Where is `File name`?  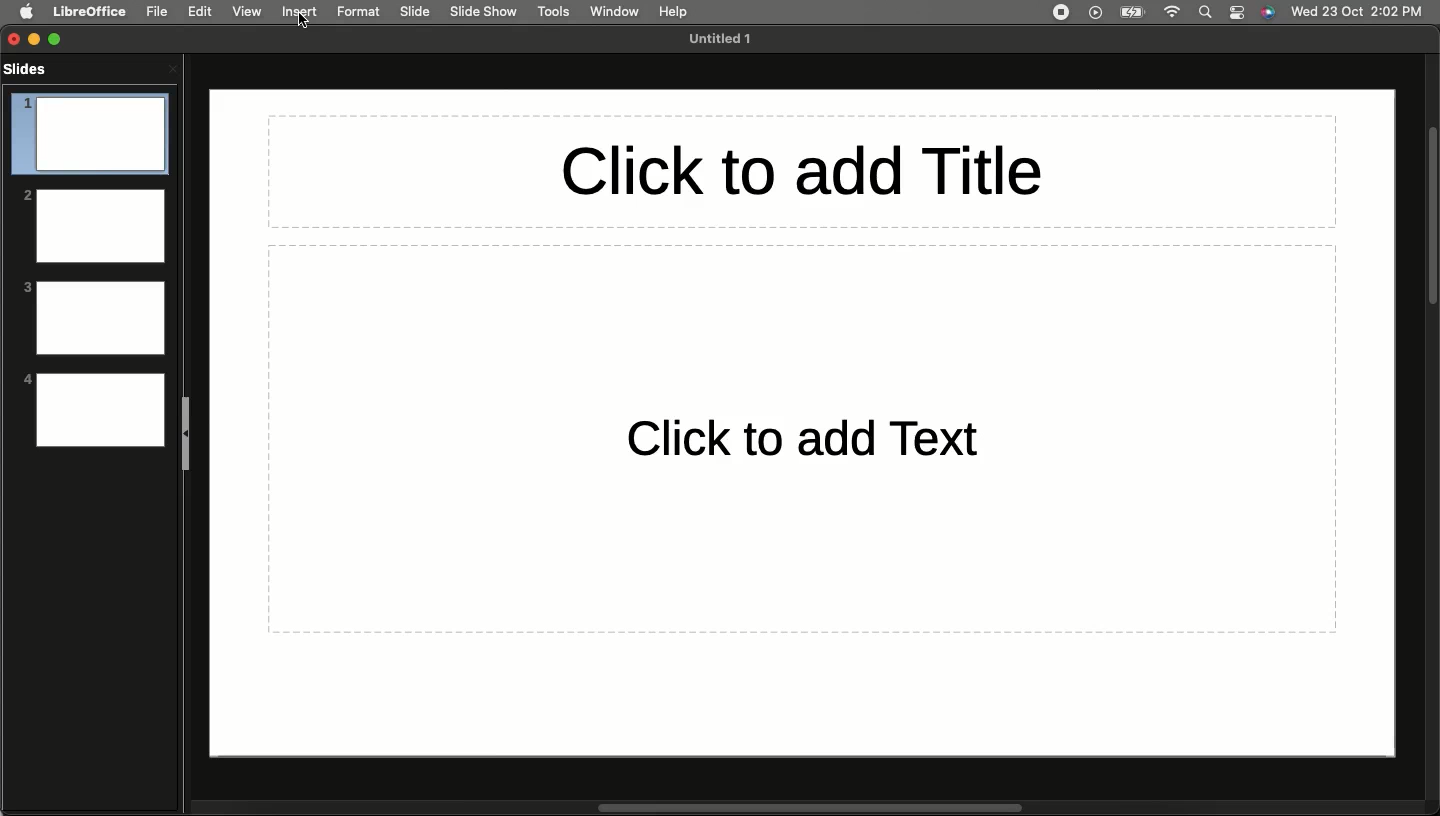 File name is located at coordinates (725, 39).